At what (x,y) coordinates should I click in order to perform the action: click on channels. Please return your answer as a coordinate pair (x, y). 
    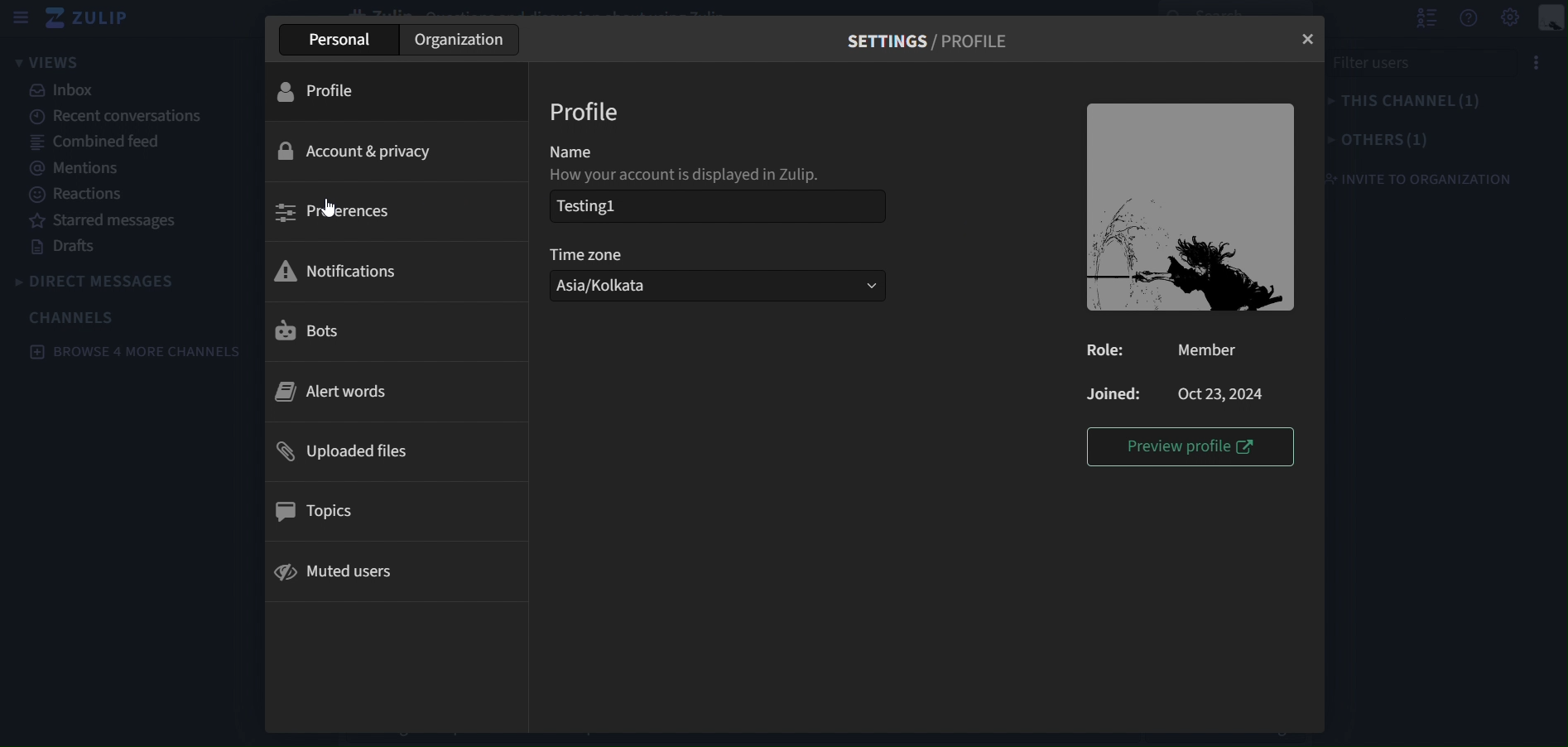
    Looking at the image, I should click on (75, 317).